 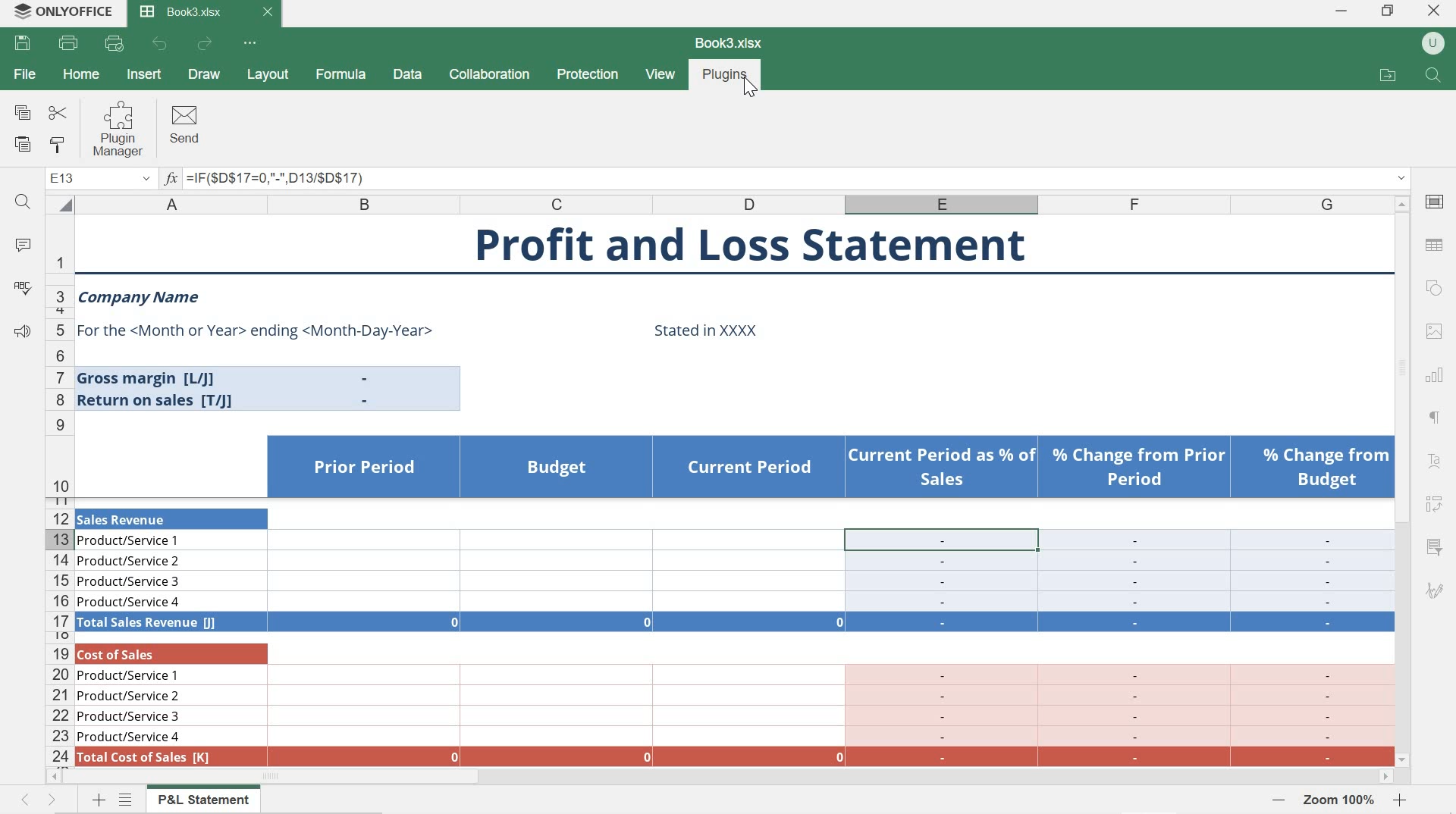 I want to click on scrollbar, so click(x=720, y=778).